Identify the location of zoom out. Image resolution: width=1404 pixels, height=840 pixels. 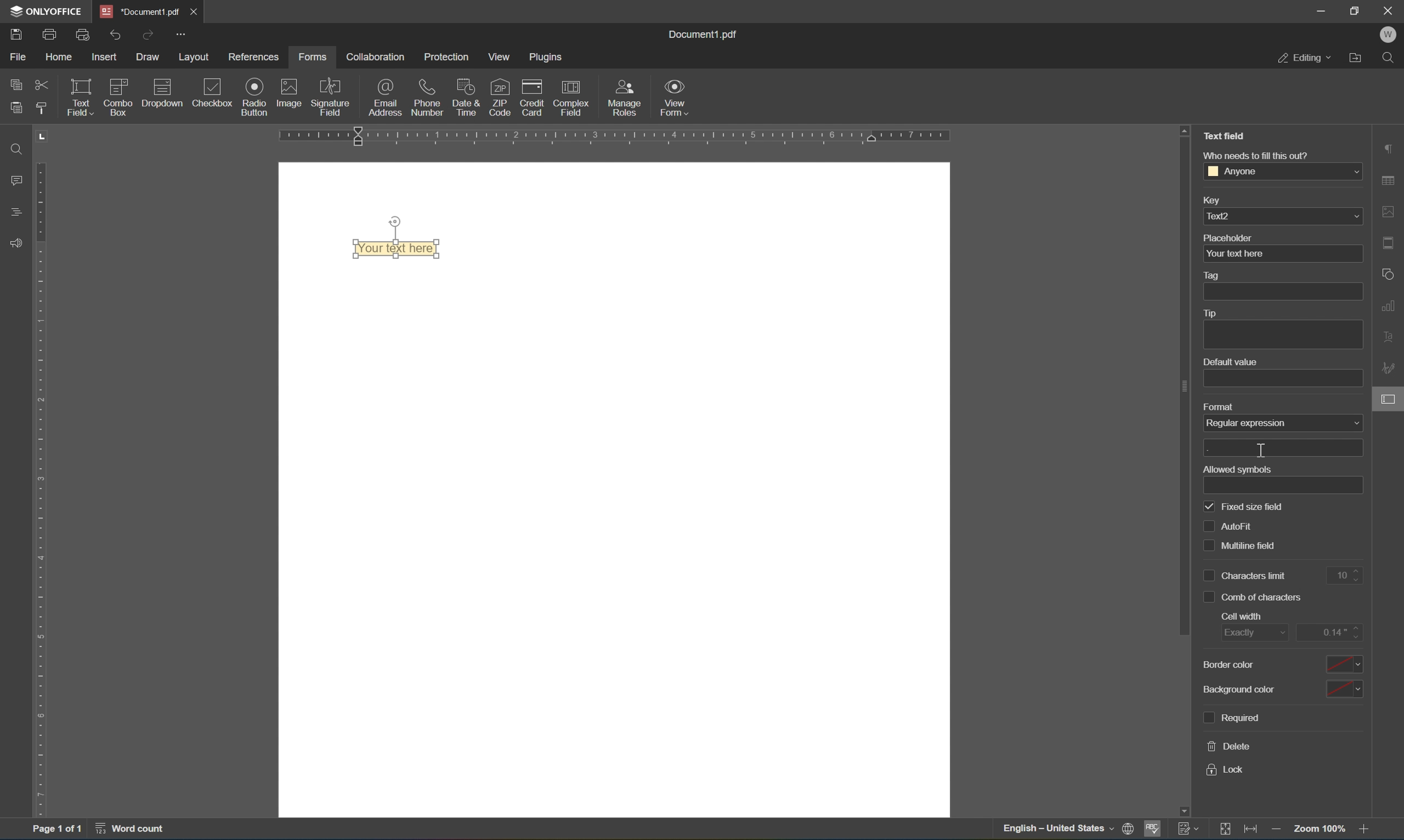
(1278, 830).